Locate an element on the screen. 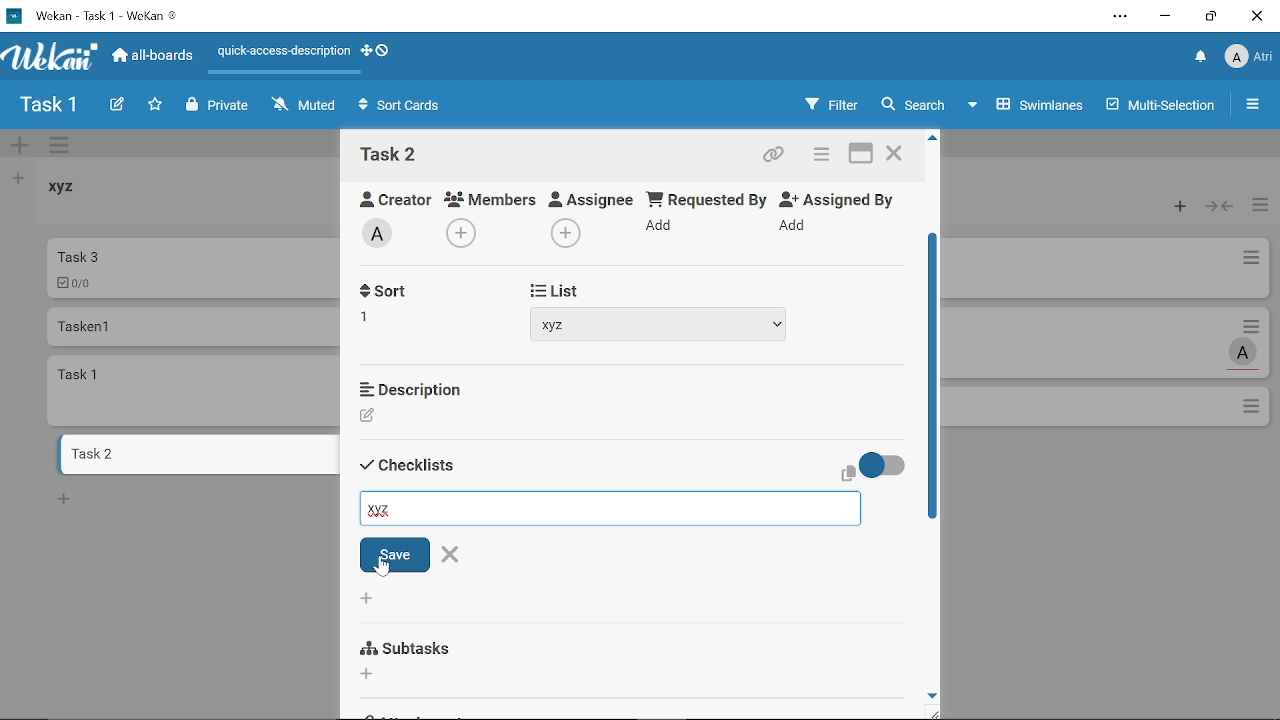 This screenshot has width=1280, height=720. Task assigned to is located at coordinates (1245, 352).